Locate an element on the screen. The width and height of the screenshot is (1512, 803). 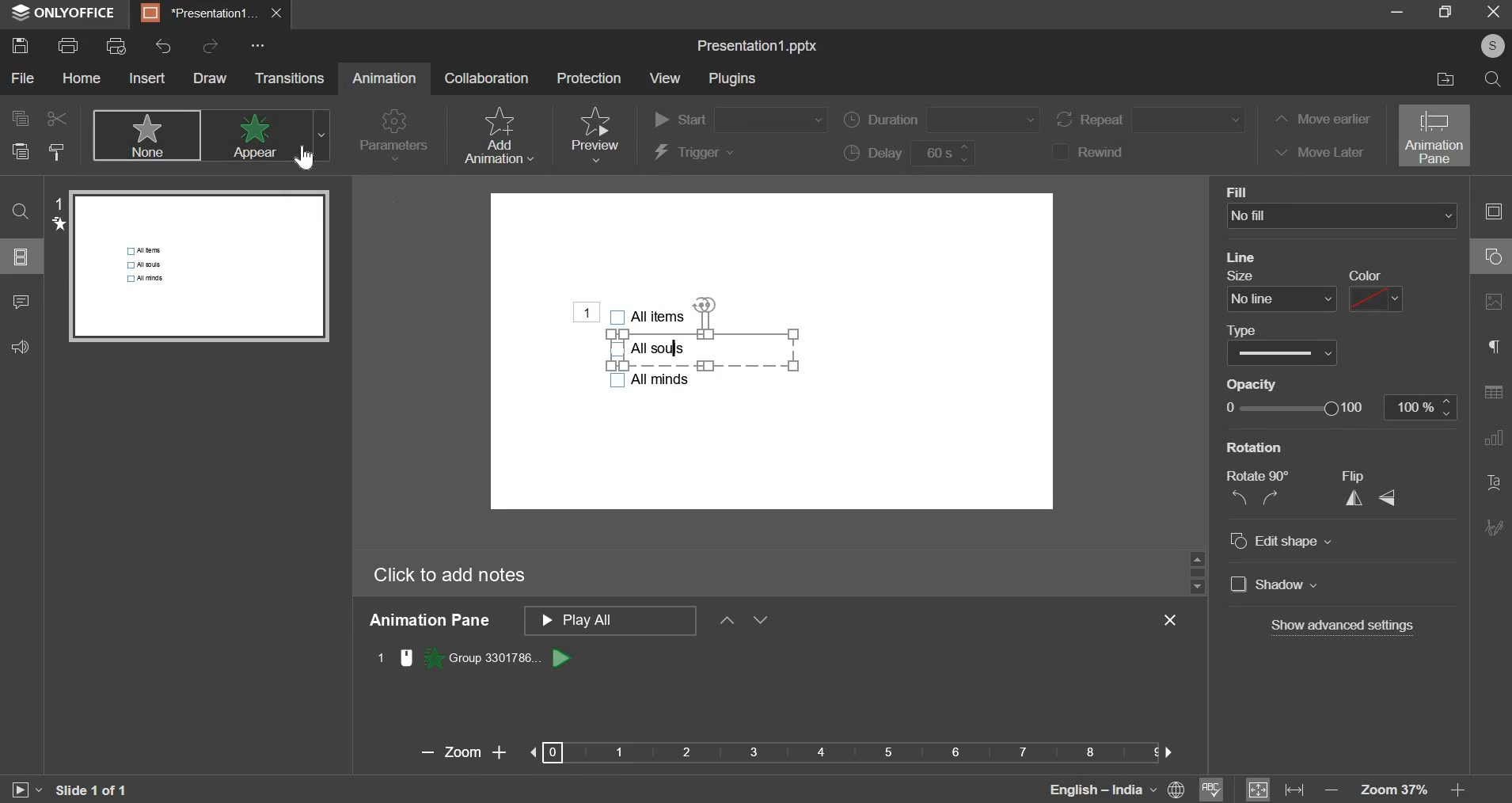
Edit shape is located at coordinates (1281, 543).